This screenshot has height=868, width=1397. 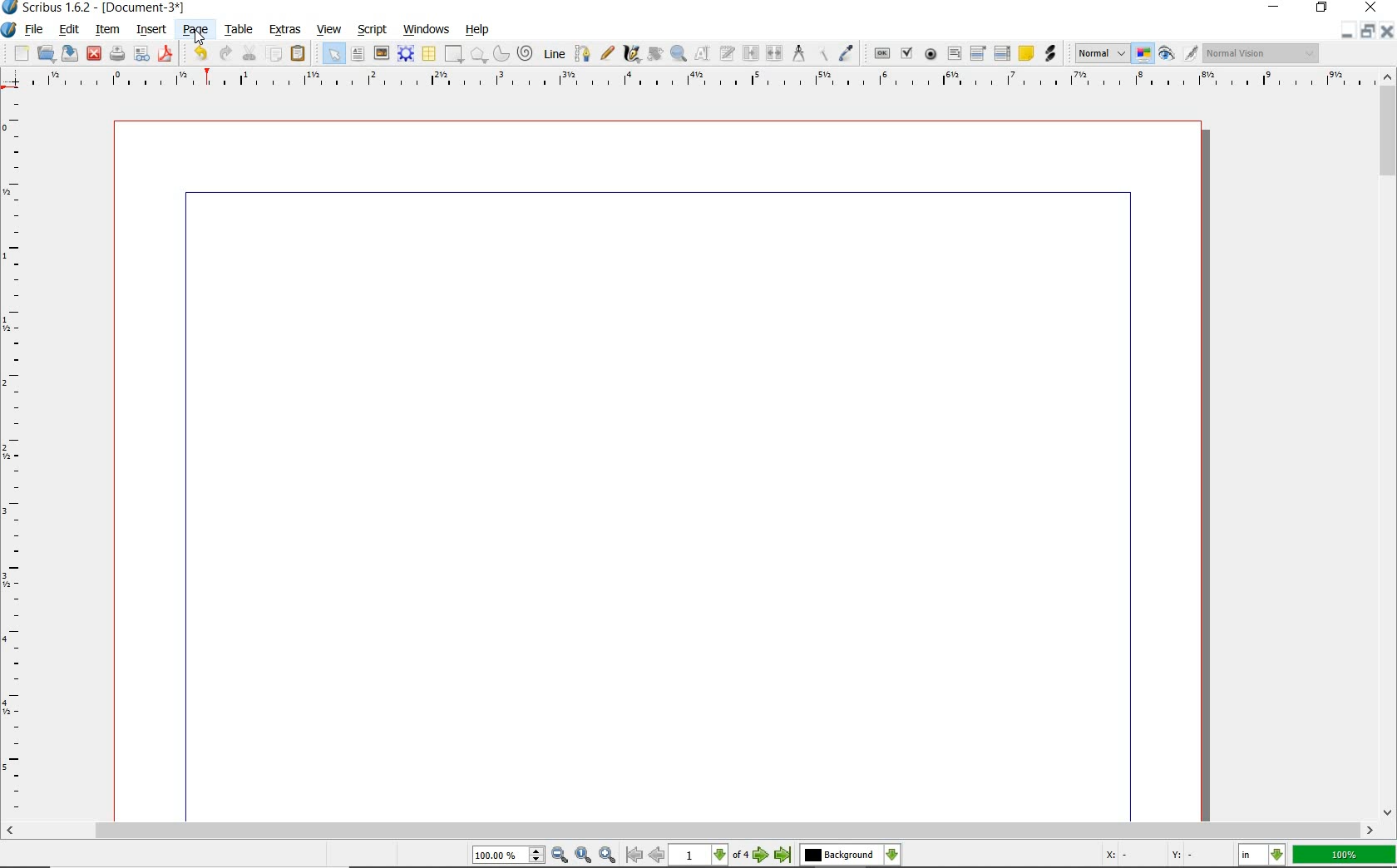 I want to click on Cursor , so click(x=199, y=36).